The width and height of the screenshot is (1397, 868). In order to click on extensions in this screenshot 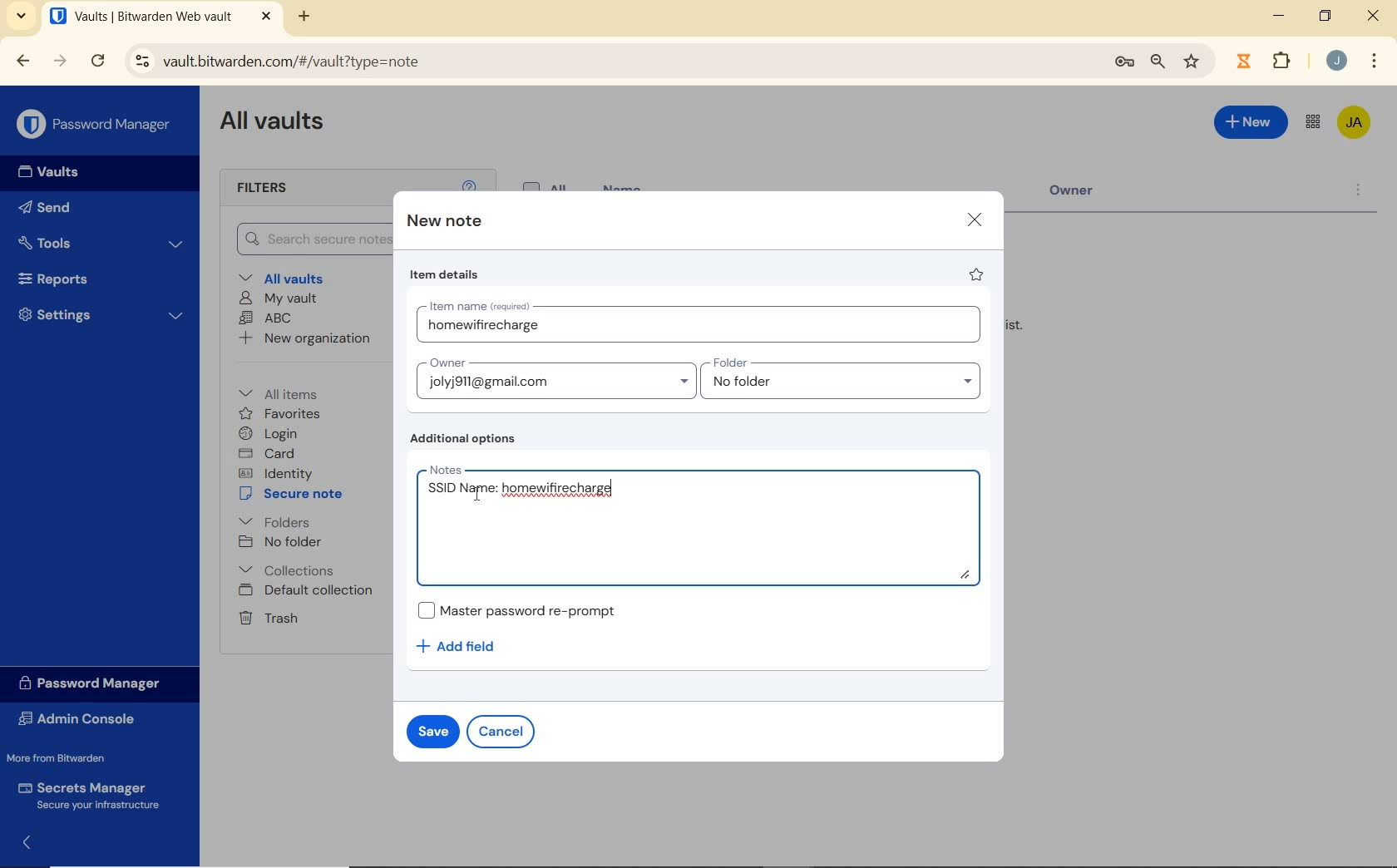, I will do `click(1242, 62)`.